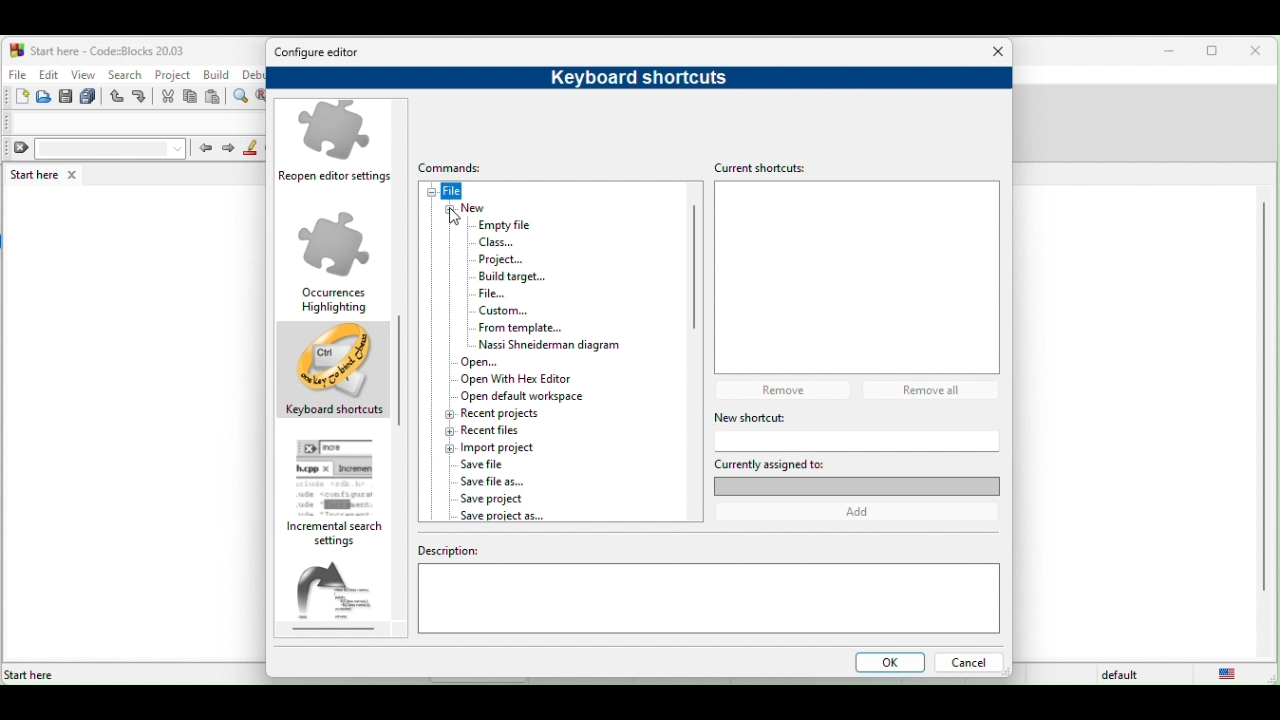  I want to click on open, so click(45, 97).